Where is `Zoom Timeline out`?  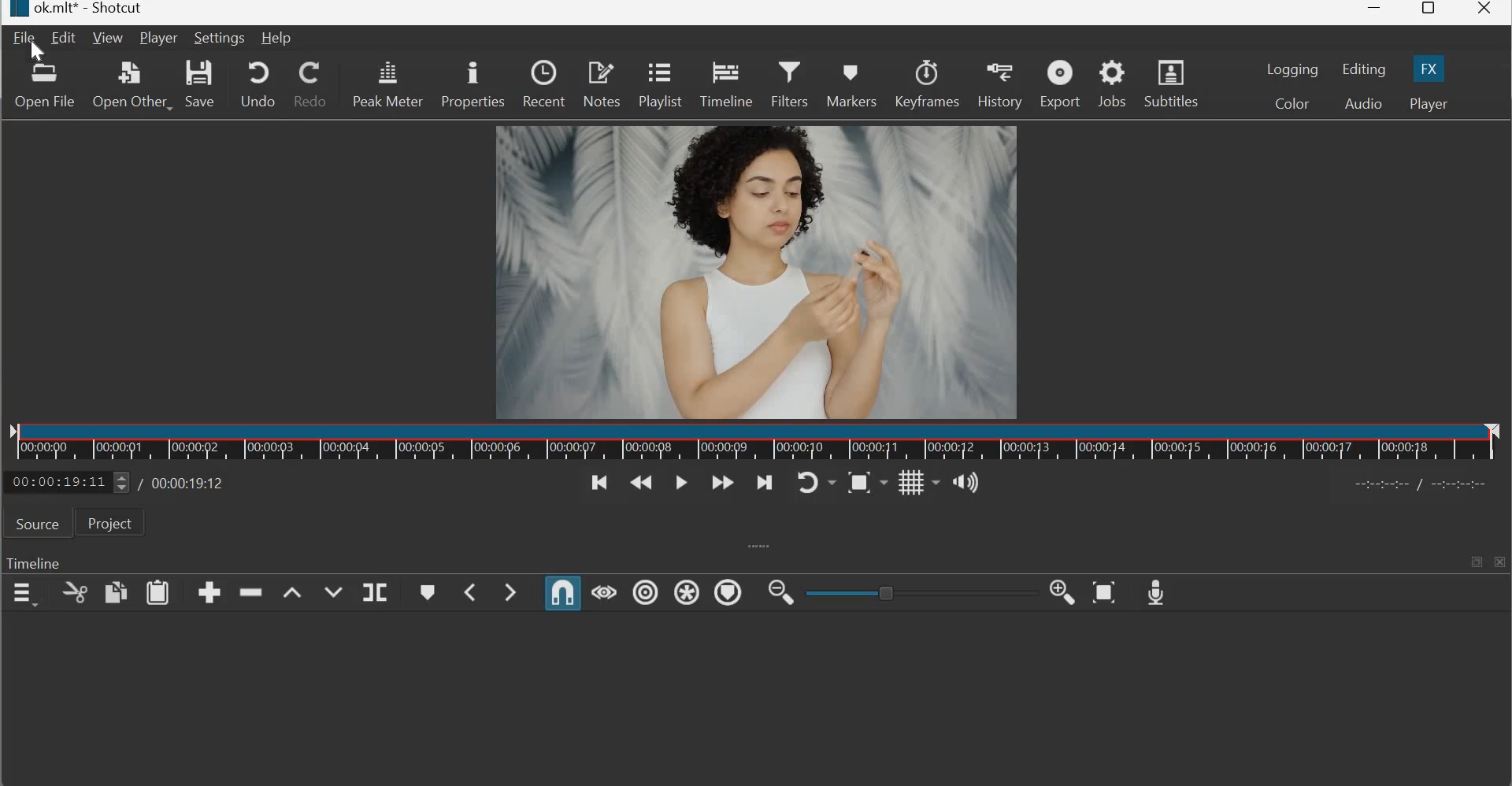 Zoom Timeline out is located at coordinates (780, 591).